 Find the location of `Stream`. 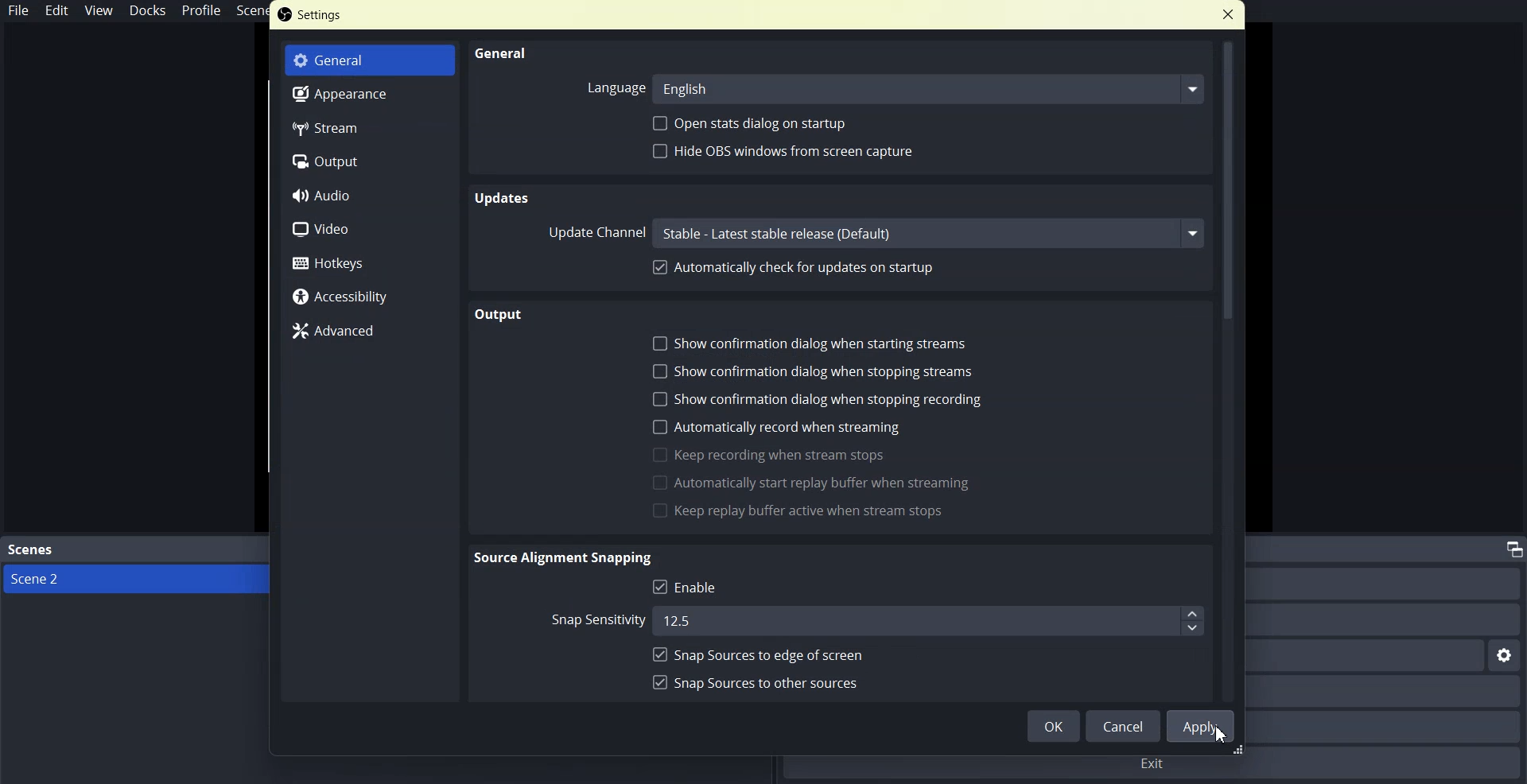

Stream is located at coordinates (371, 127).